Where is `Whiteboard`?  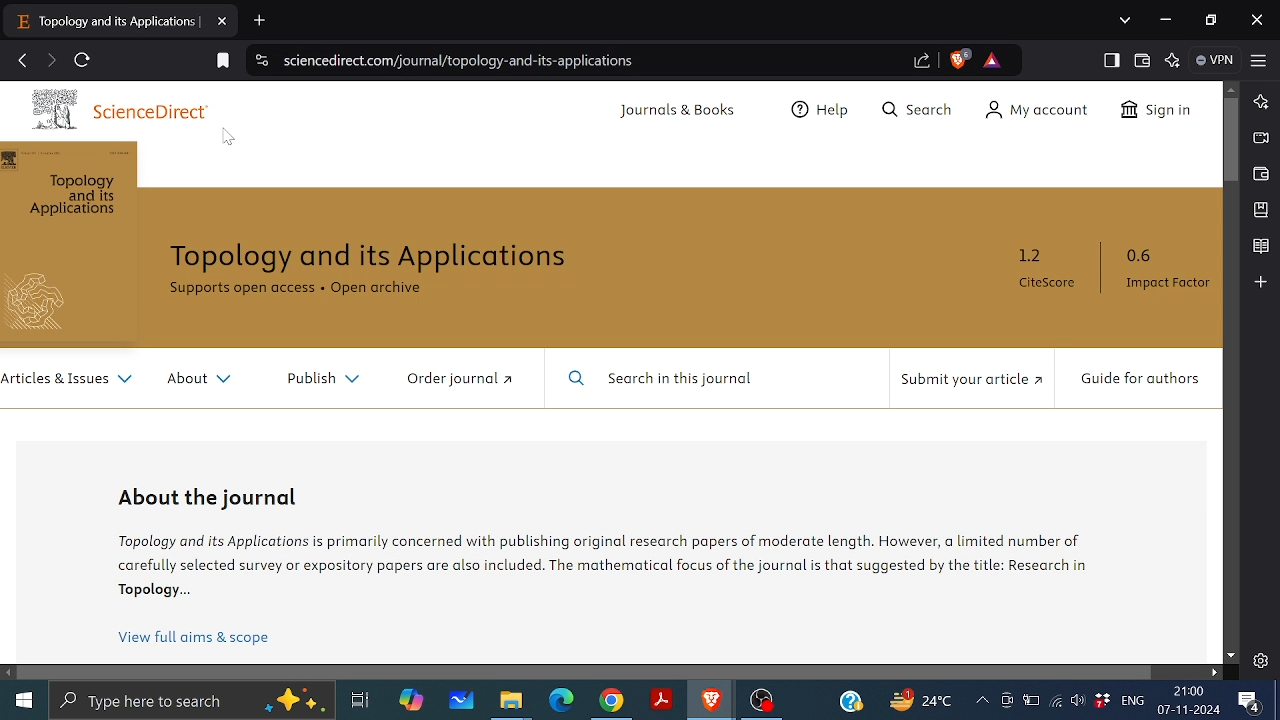 Whiteboard is located at coordinates (463, 701).